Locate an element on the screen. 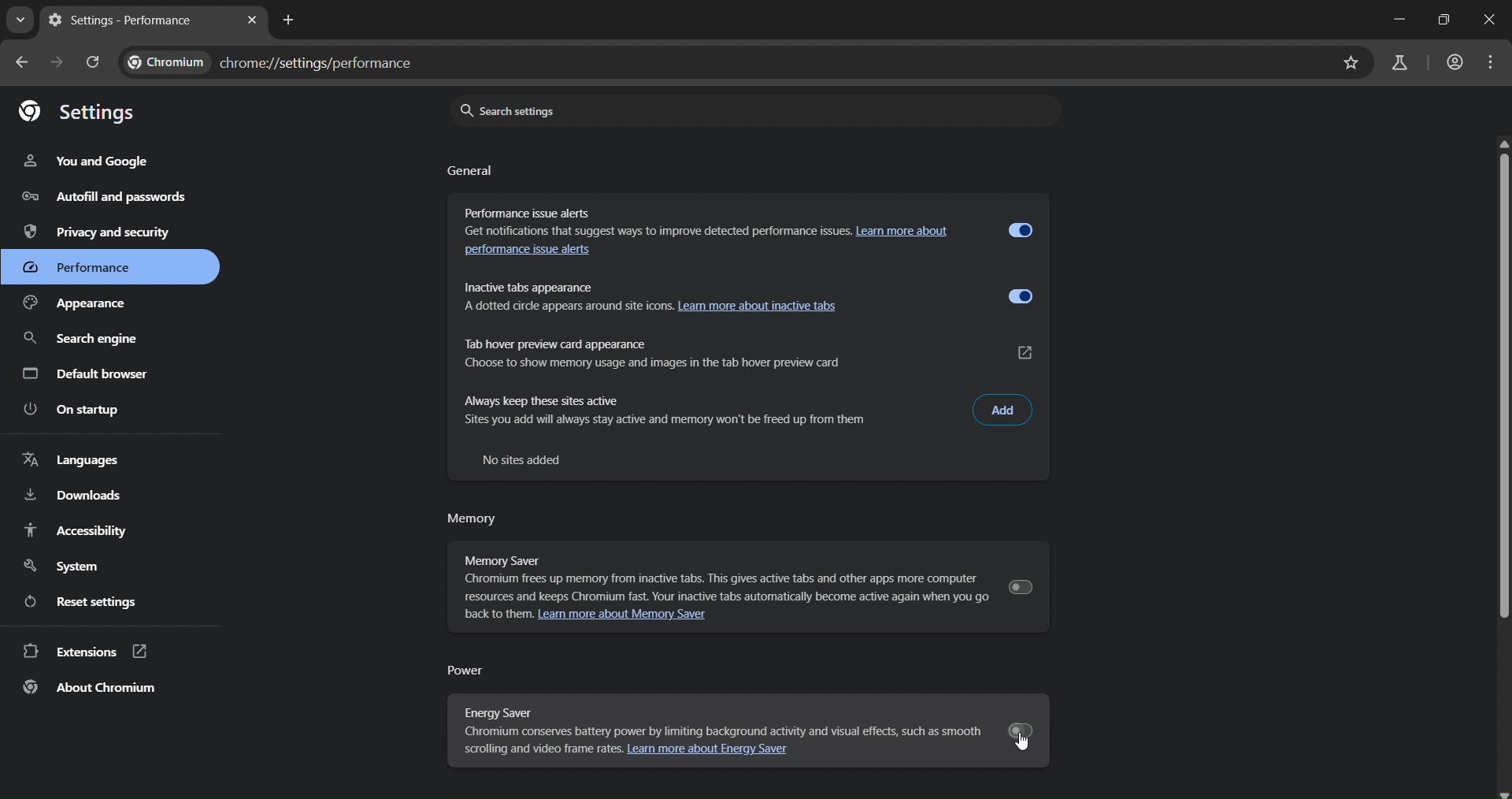   is located at coordinates (81, 340).